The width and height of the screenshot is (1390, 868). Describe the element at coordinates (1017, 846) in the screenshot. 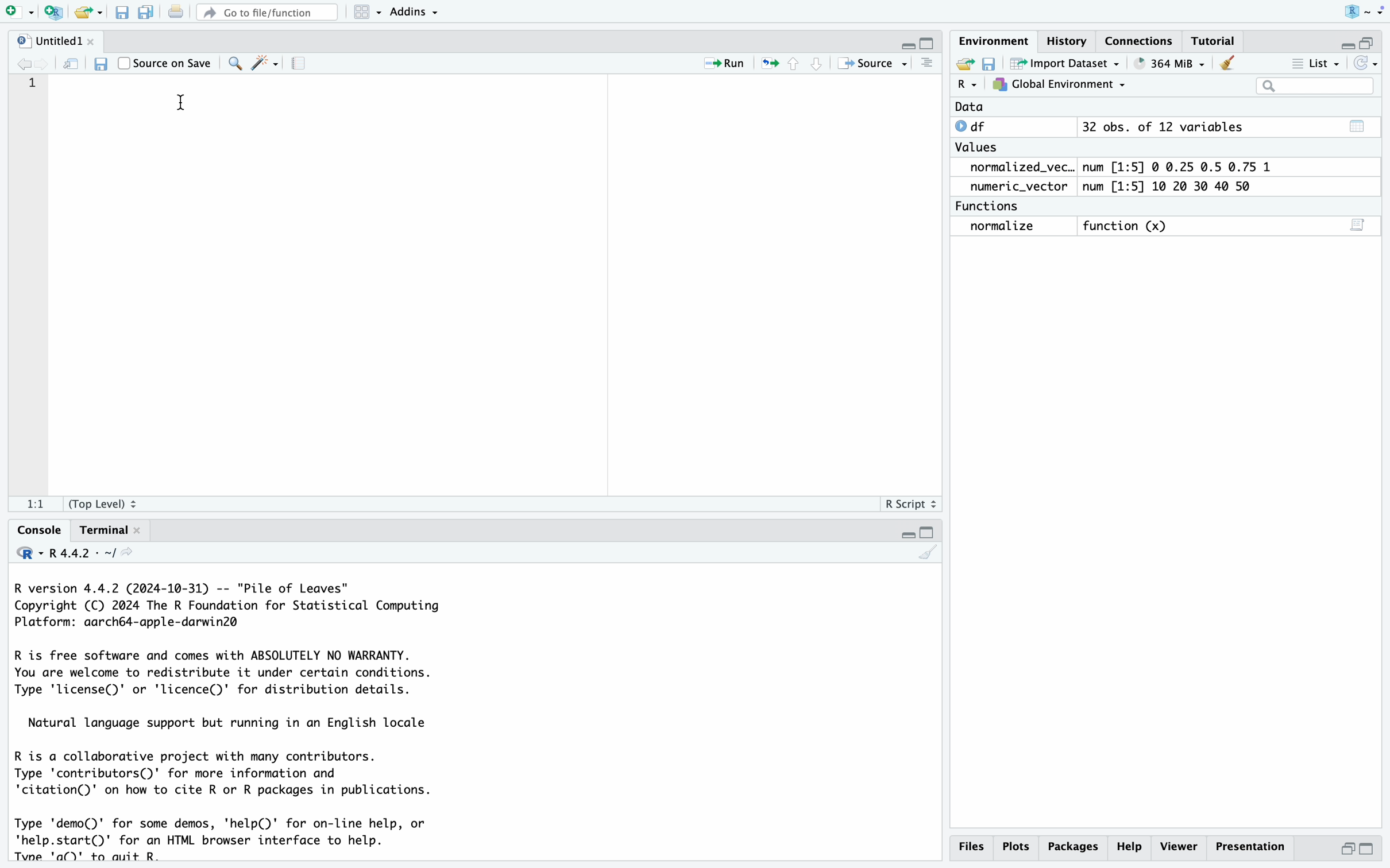

I see `Plots` at that location.